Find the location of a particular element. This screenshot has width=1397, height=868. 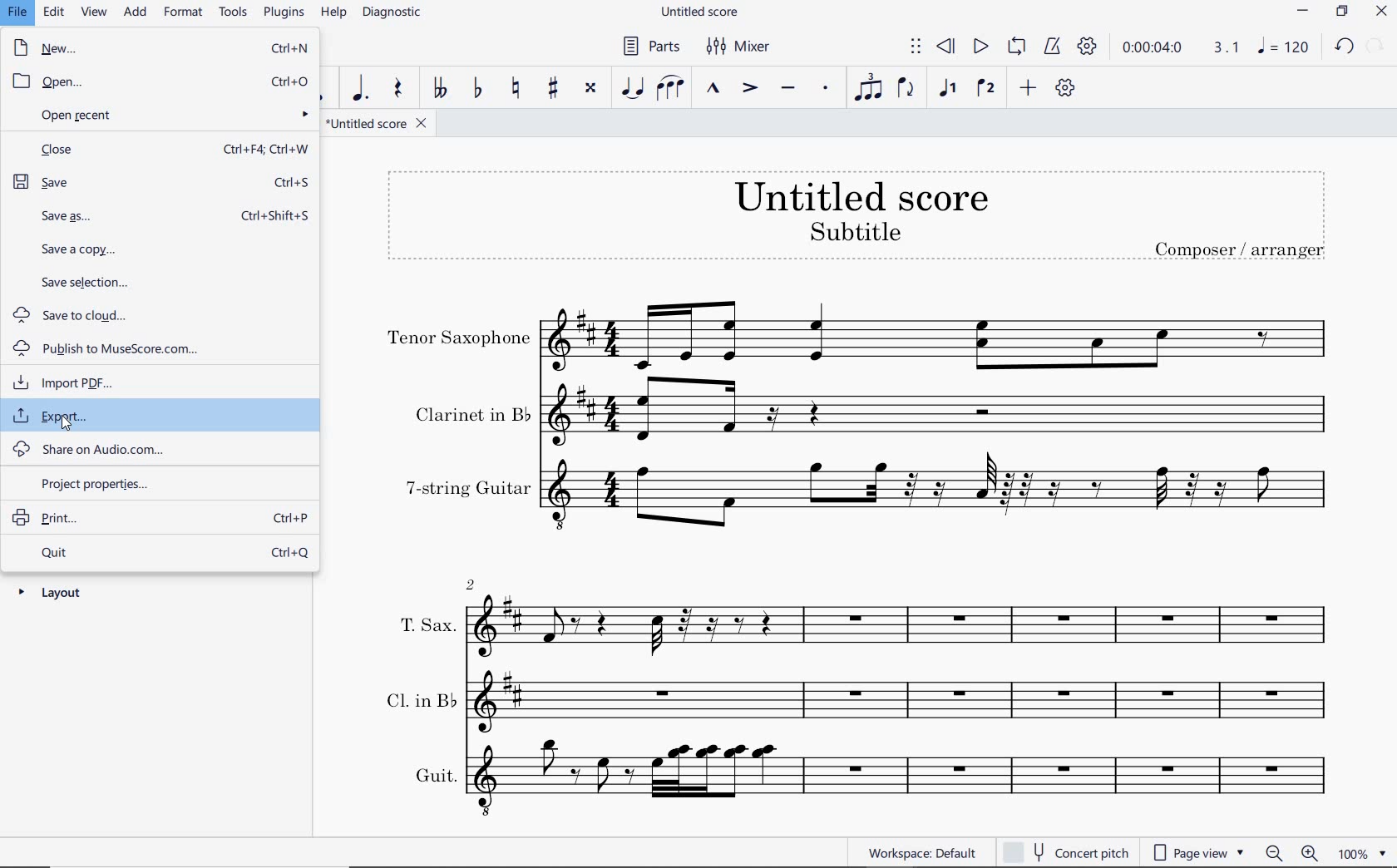

DIAGNOSTIC is located at coordinates (392, 13).